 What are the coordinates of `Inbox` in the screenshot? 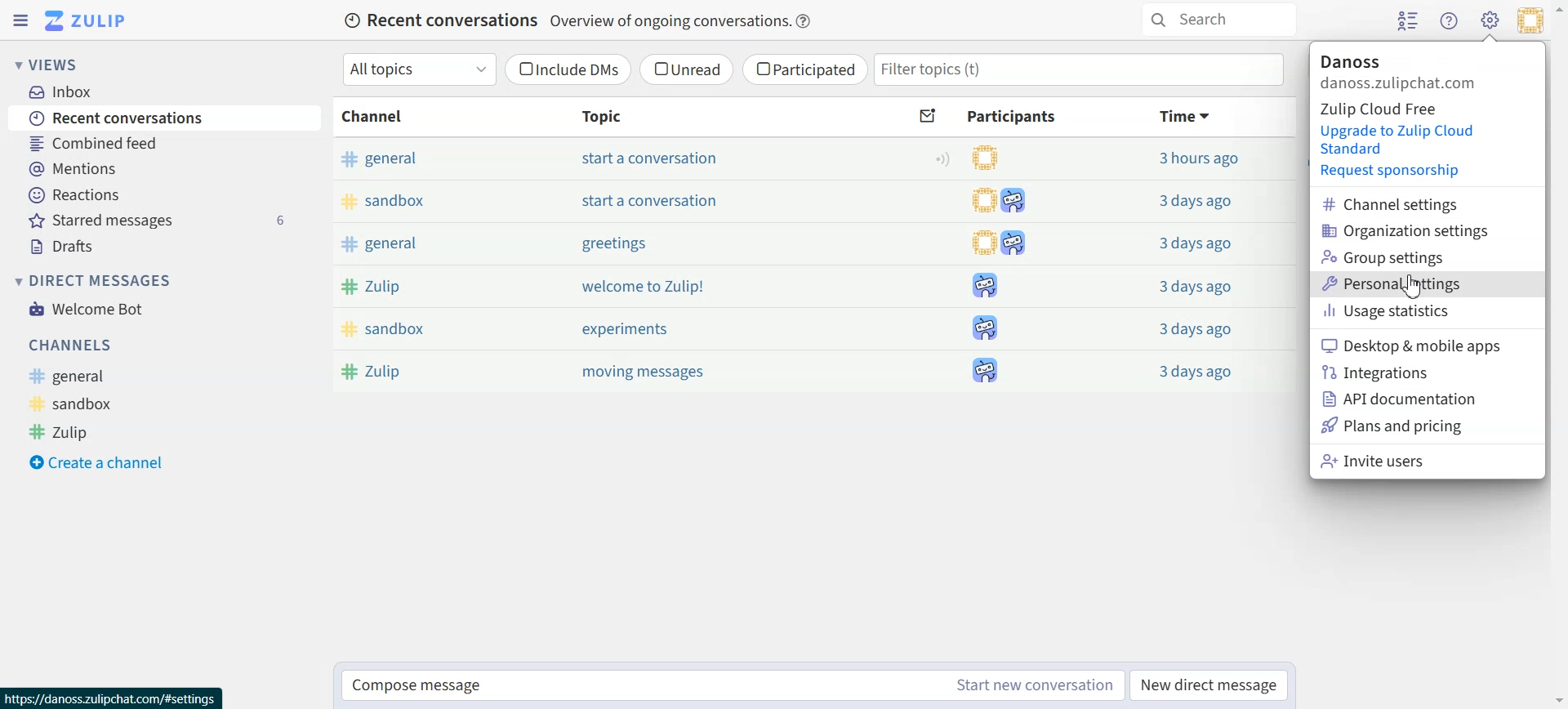 It's located at (84, 92).